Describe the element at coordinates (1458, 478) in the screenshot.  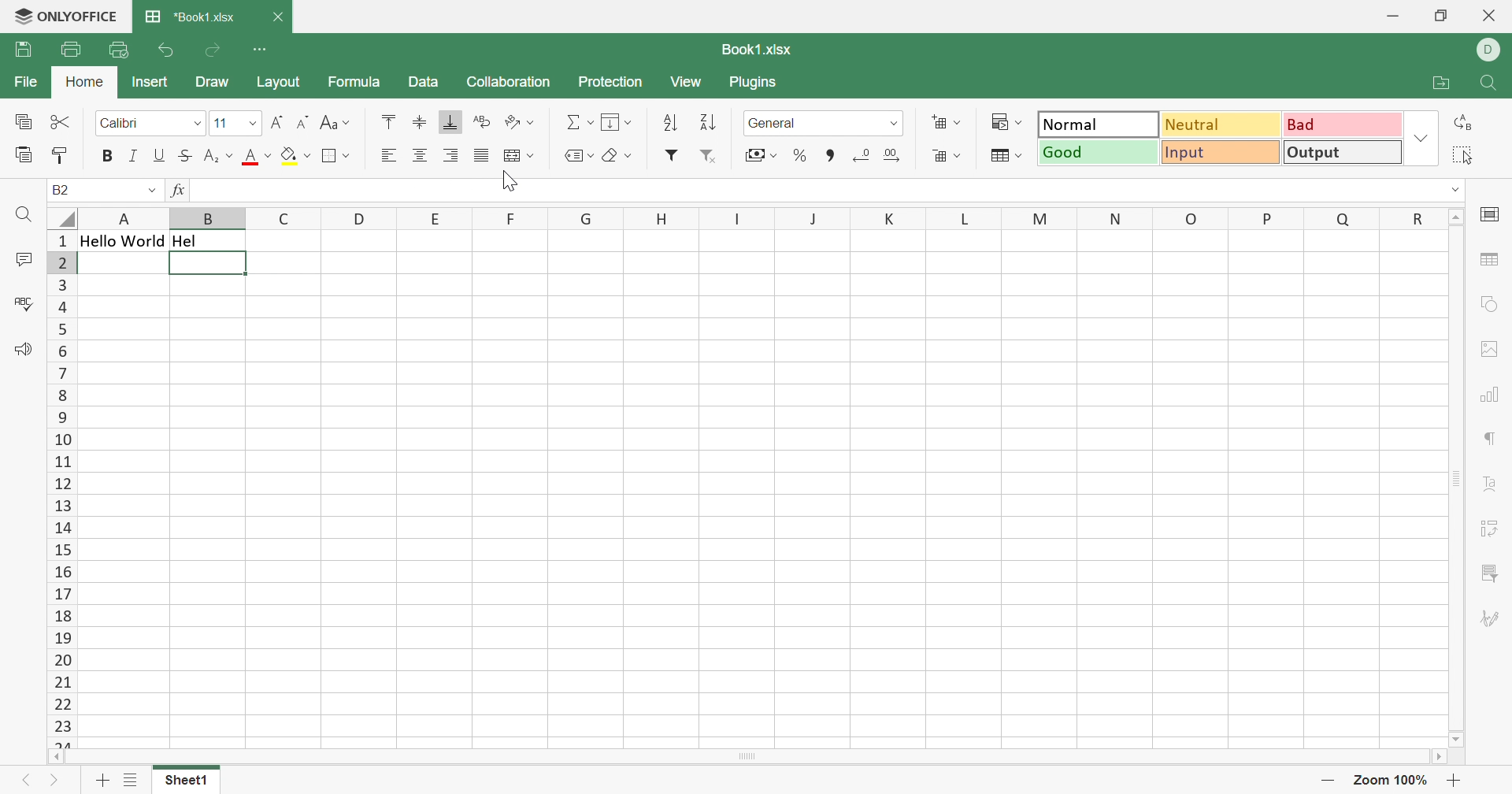
I see `Scroll bar` at that location.